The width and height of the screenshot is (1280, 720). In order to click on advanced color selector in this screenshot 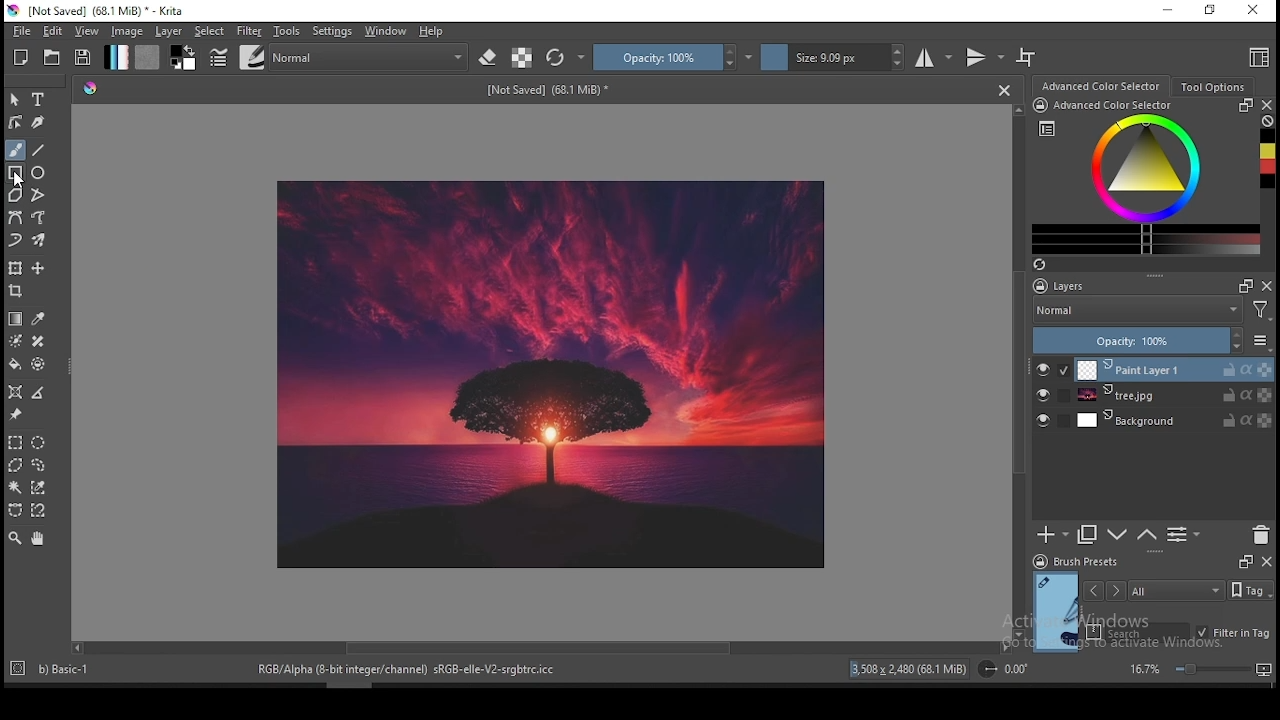, I will do `click(1146, 177)`.